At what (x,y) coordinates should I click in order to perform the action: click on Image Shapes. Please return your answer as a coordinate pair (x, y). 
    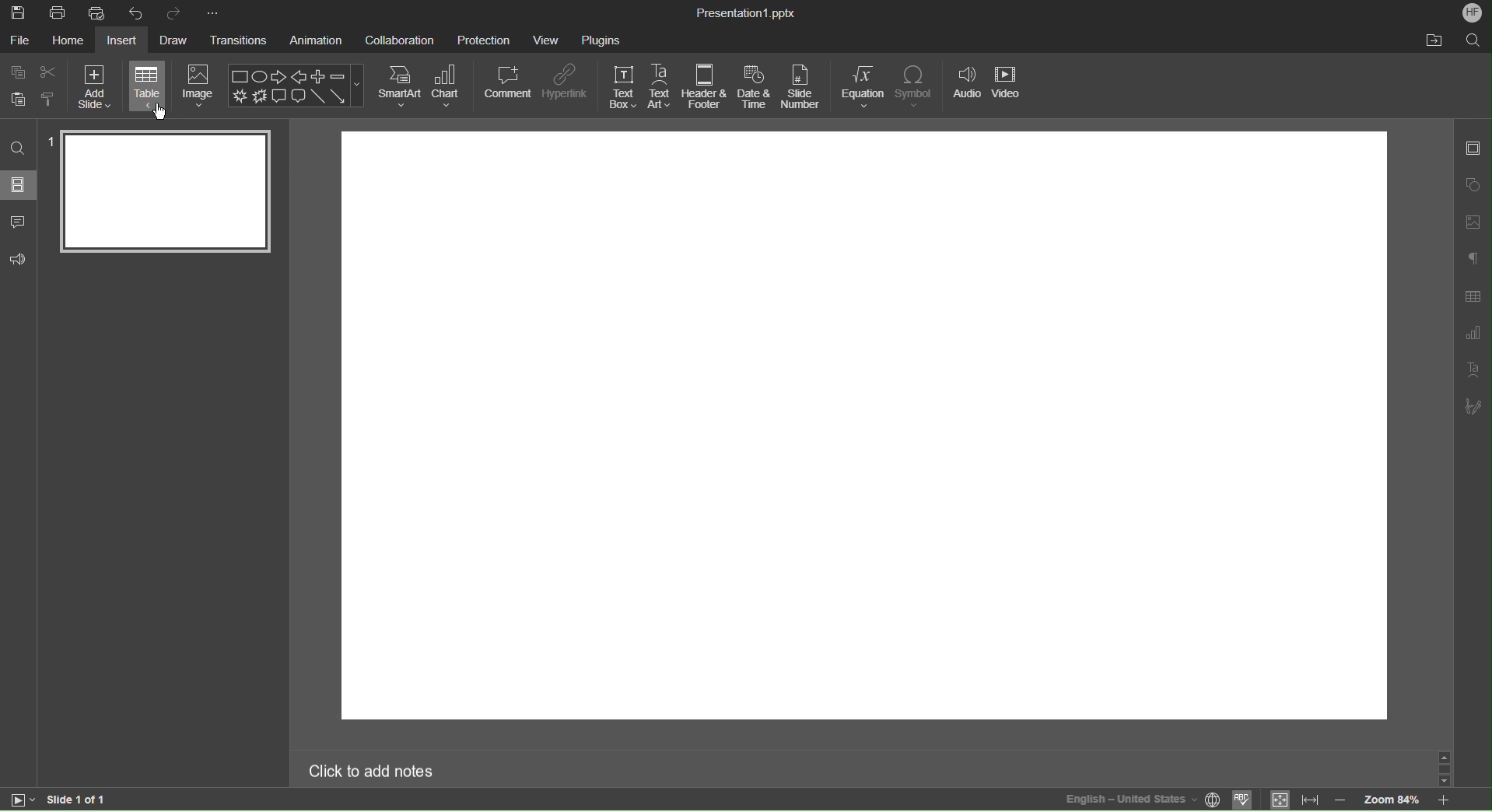
    Looking at the image, I should click on (297, 86).